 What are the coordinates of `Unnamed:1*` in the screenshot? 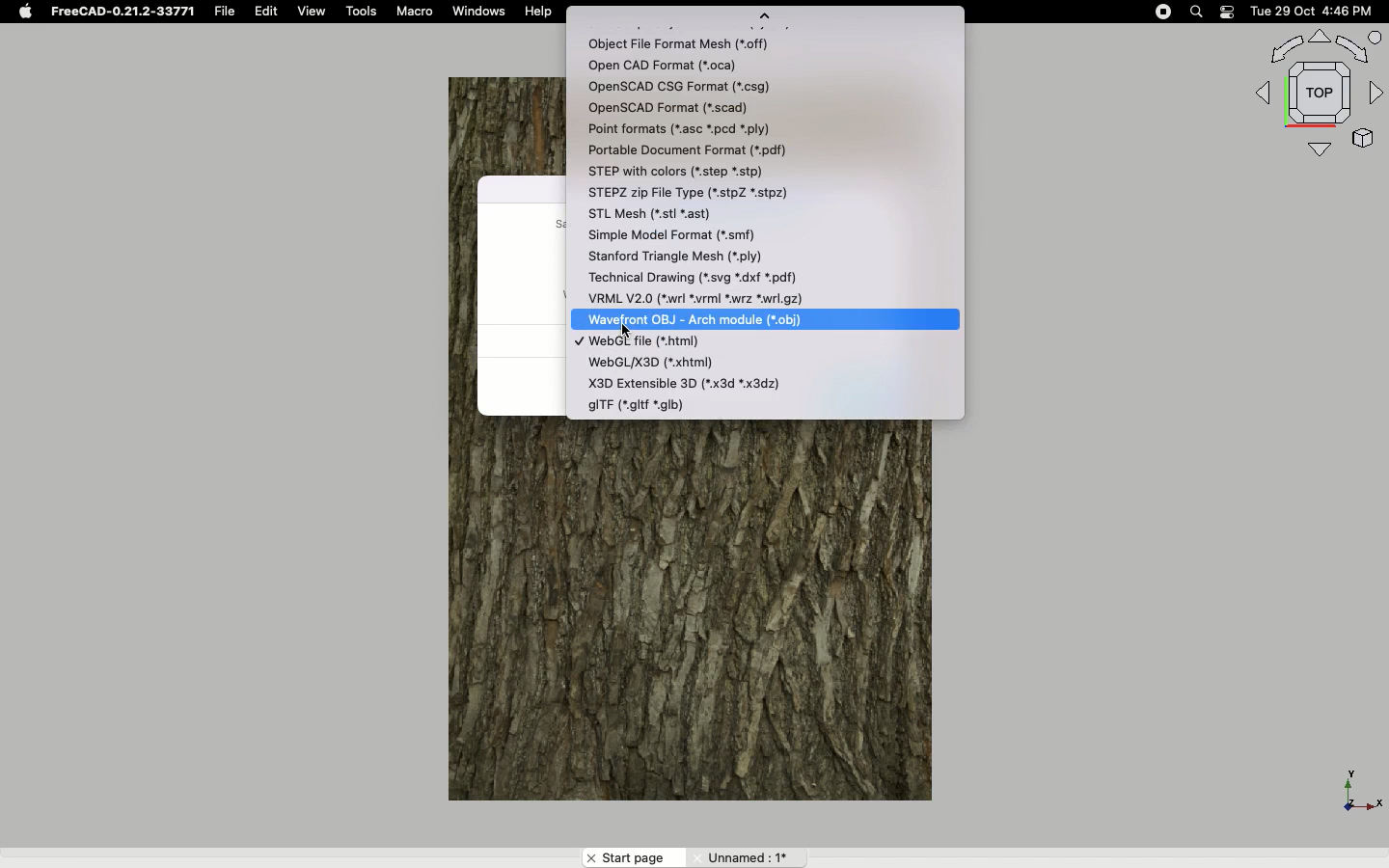 It's located at (746, 856).